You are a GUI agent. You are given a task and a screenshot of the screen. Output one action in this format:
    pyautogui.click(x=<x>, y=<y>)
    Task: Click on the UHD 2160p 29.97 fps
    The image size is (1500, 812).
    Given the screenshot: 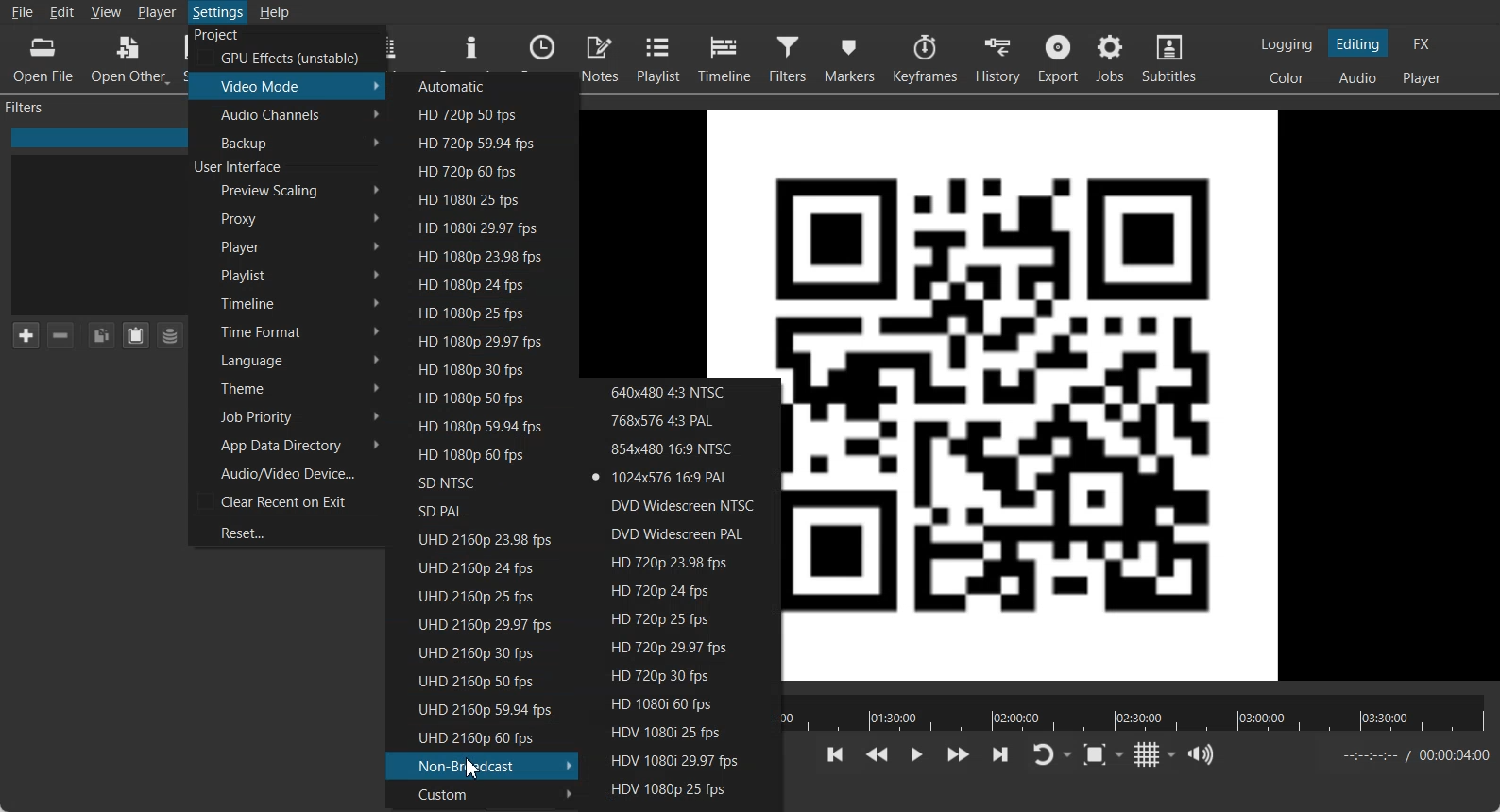 What is the action you would take?
    pyautogui.click(x=475, y=624)
    